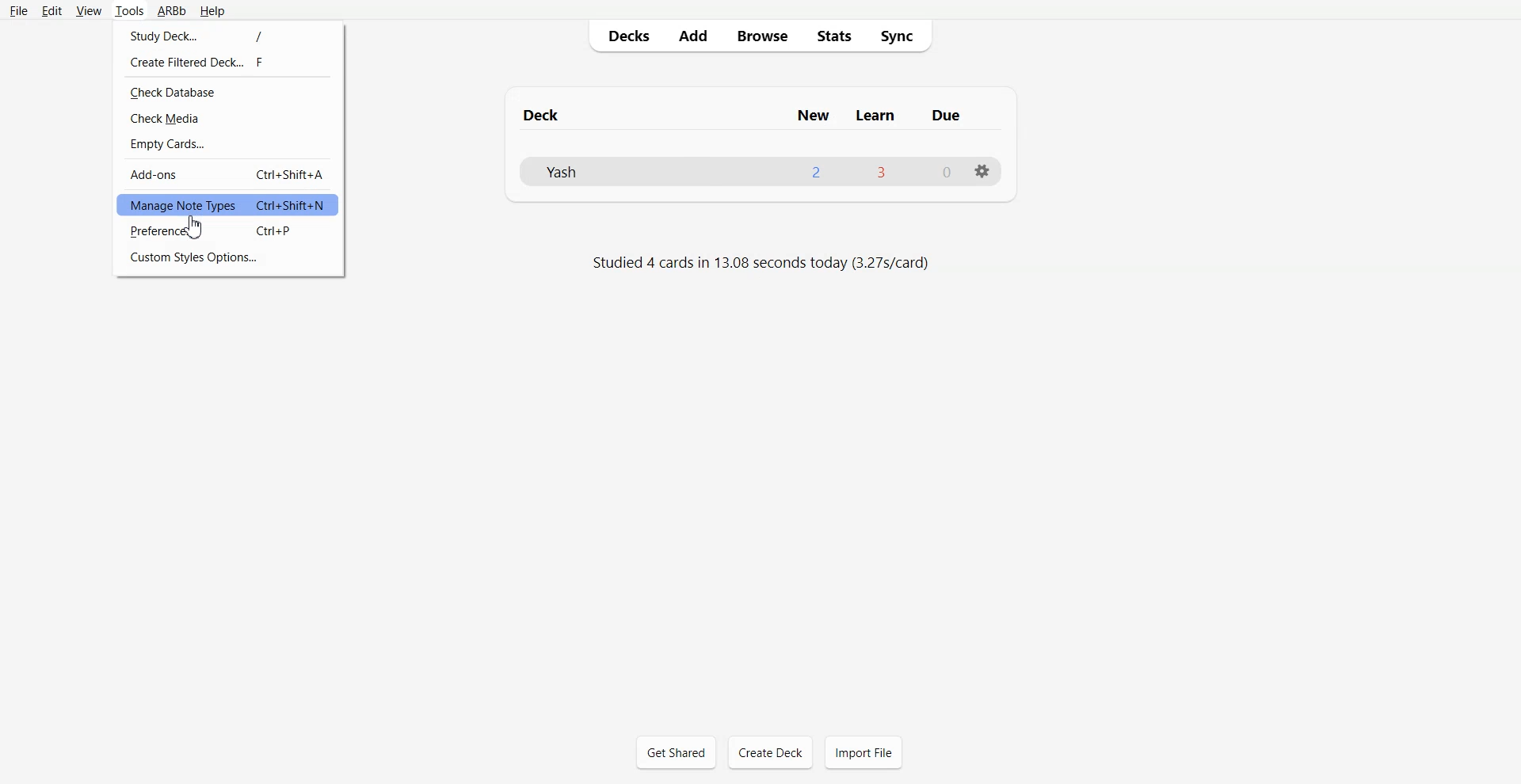 The height and width of the screenshot is (784, 1521). I want to click on Preferences, so click(227, 232).